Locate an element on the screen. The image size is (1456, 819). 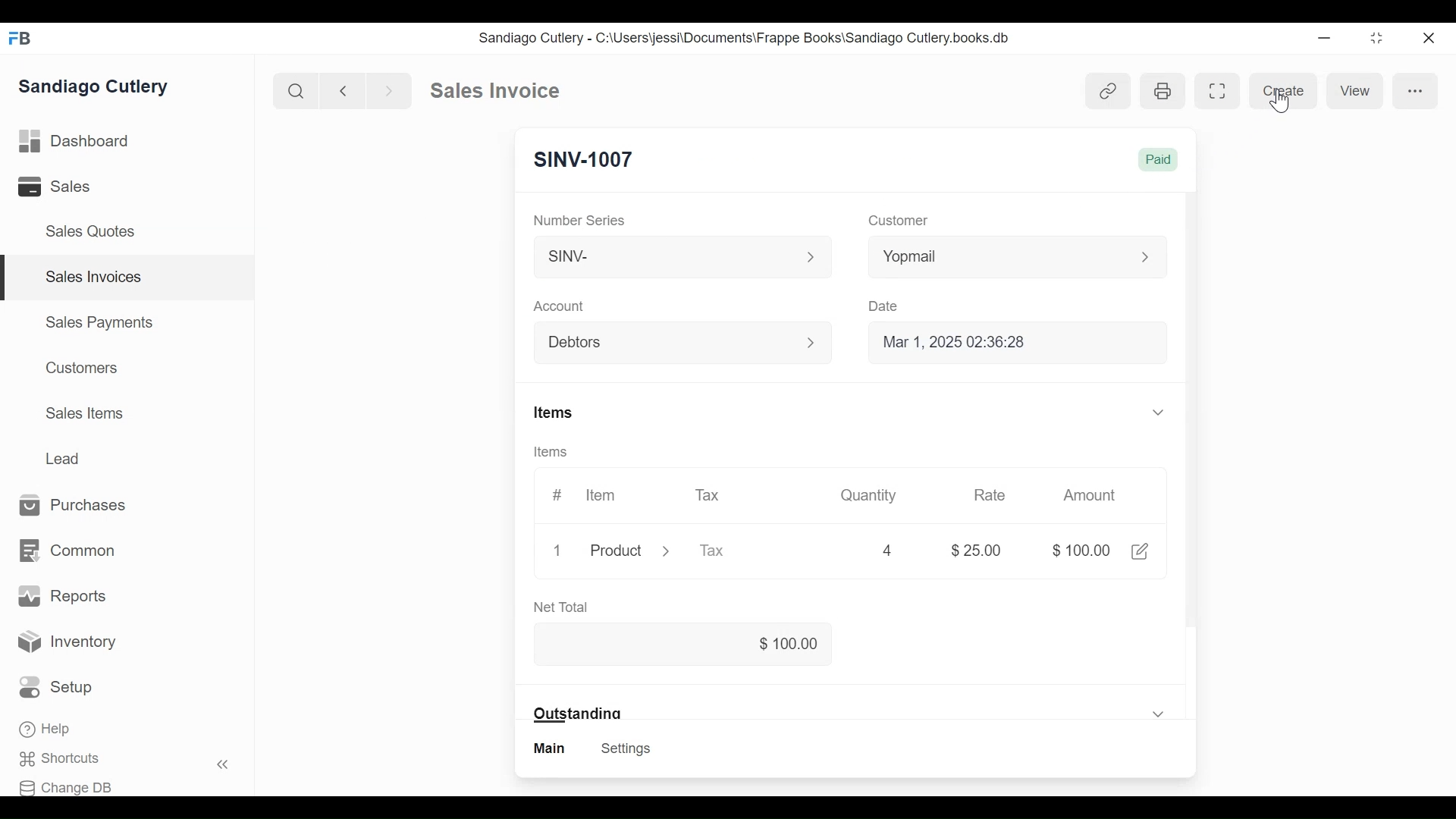
Yopmail  is located at coordinates (1018, 257).